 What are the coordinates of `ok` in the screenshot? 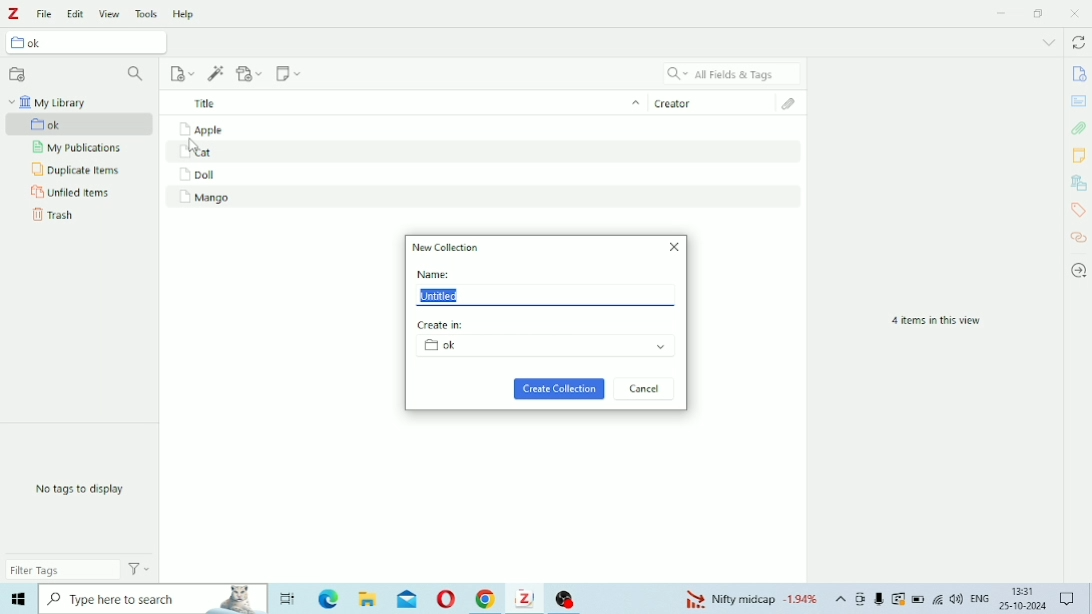 It's located at (80, 124).